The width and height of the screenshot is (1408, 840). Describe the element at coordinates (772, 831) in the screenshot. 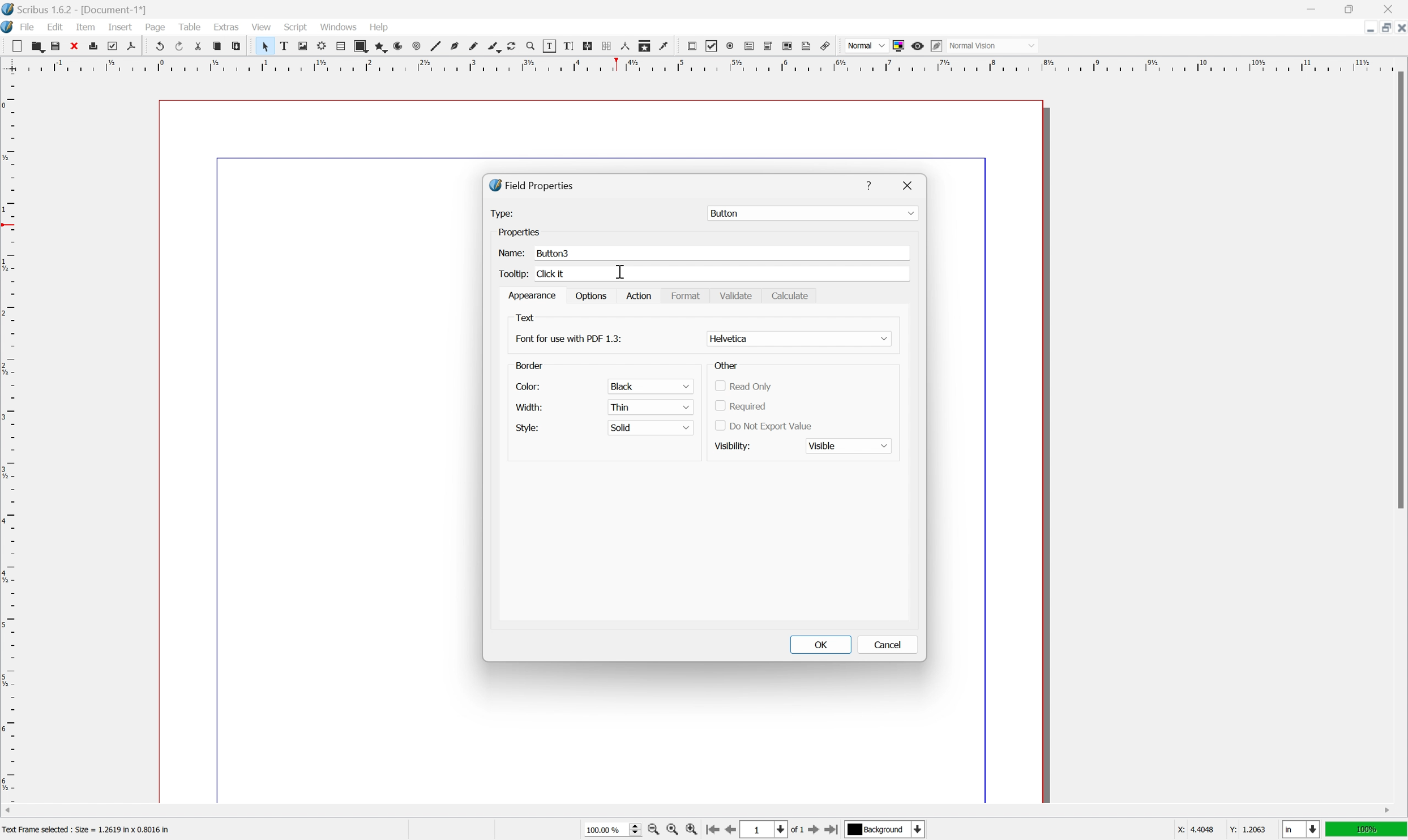

I see `select current page` at that location.